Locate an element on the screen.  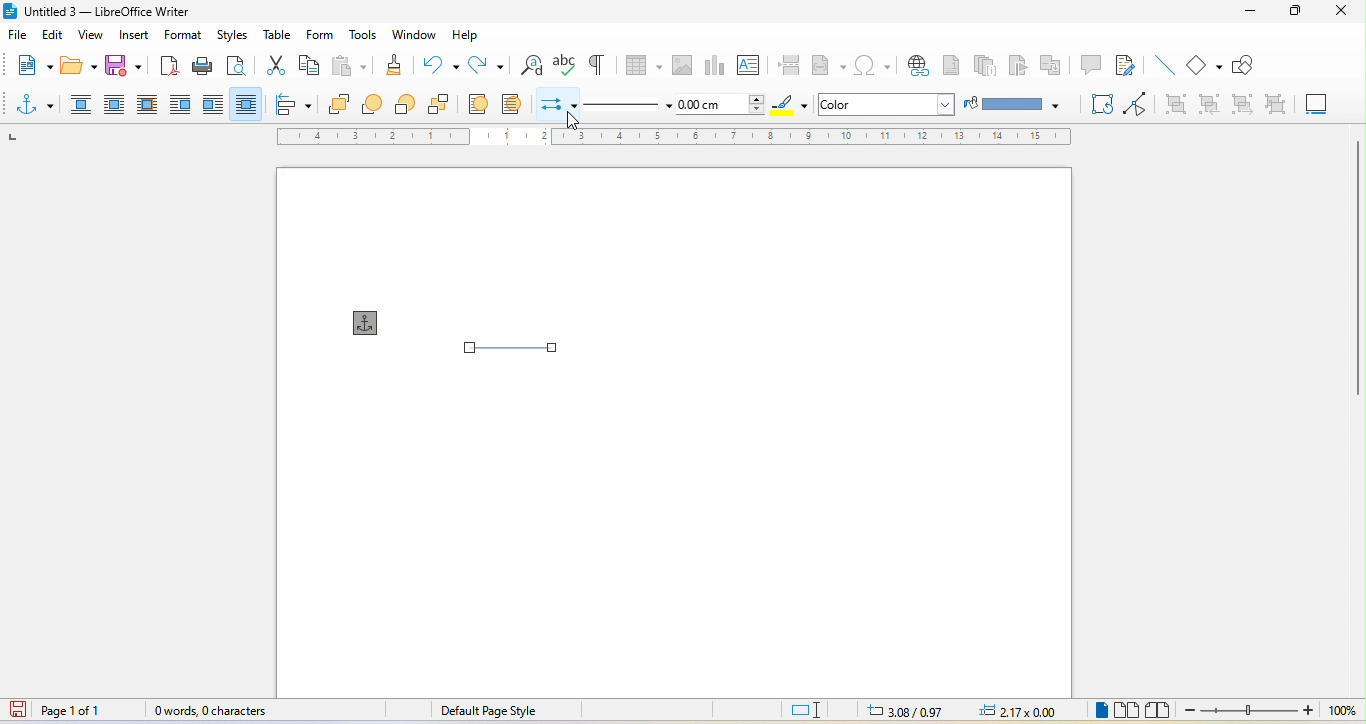
redo is located at coordinates (489, 64).